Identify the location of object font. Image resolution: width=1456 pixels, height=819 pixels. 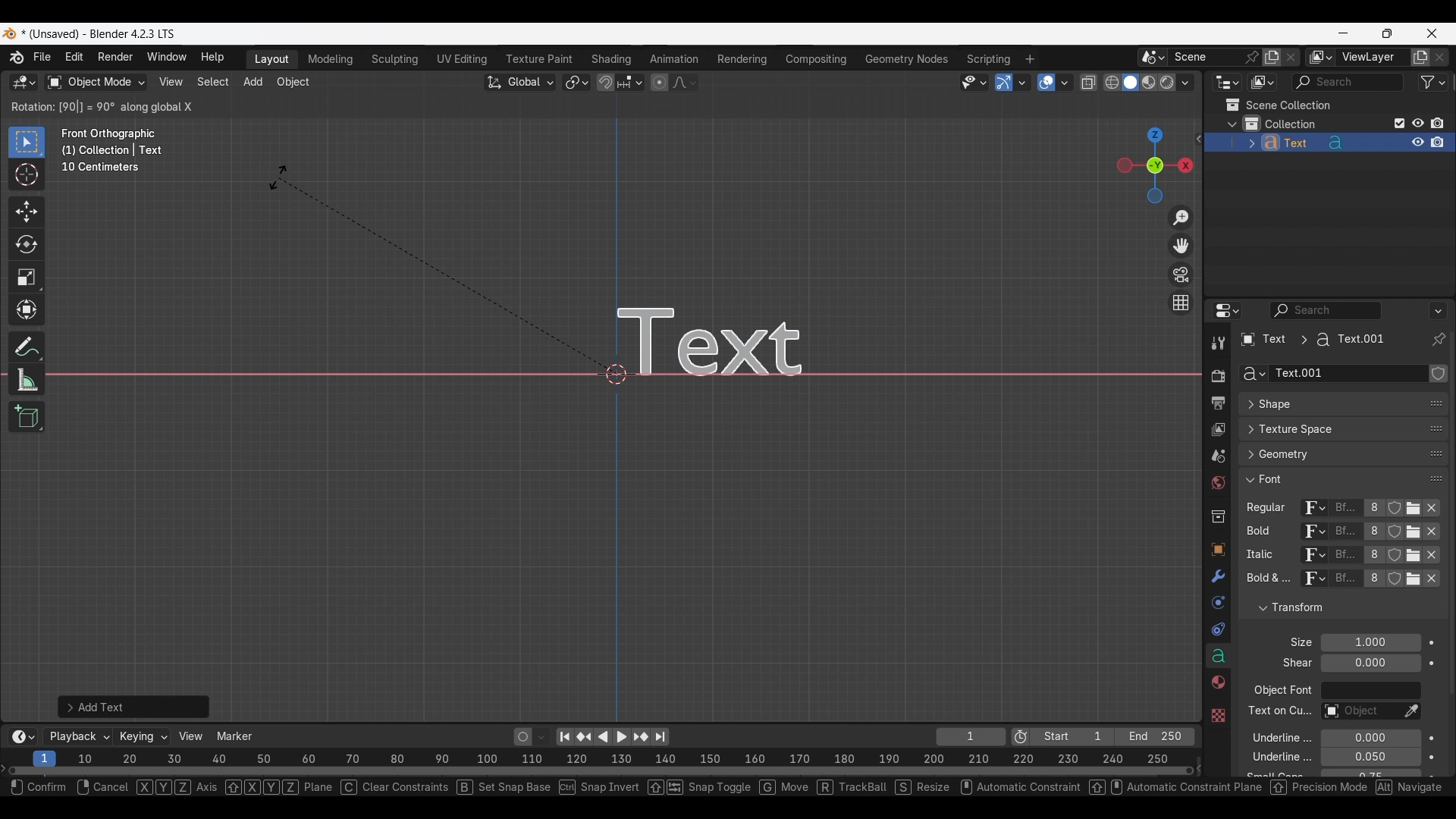
(1282, 692).